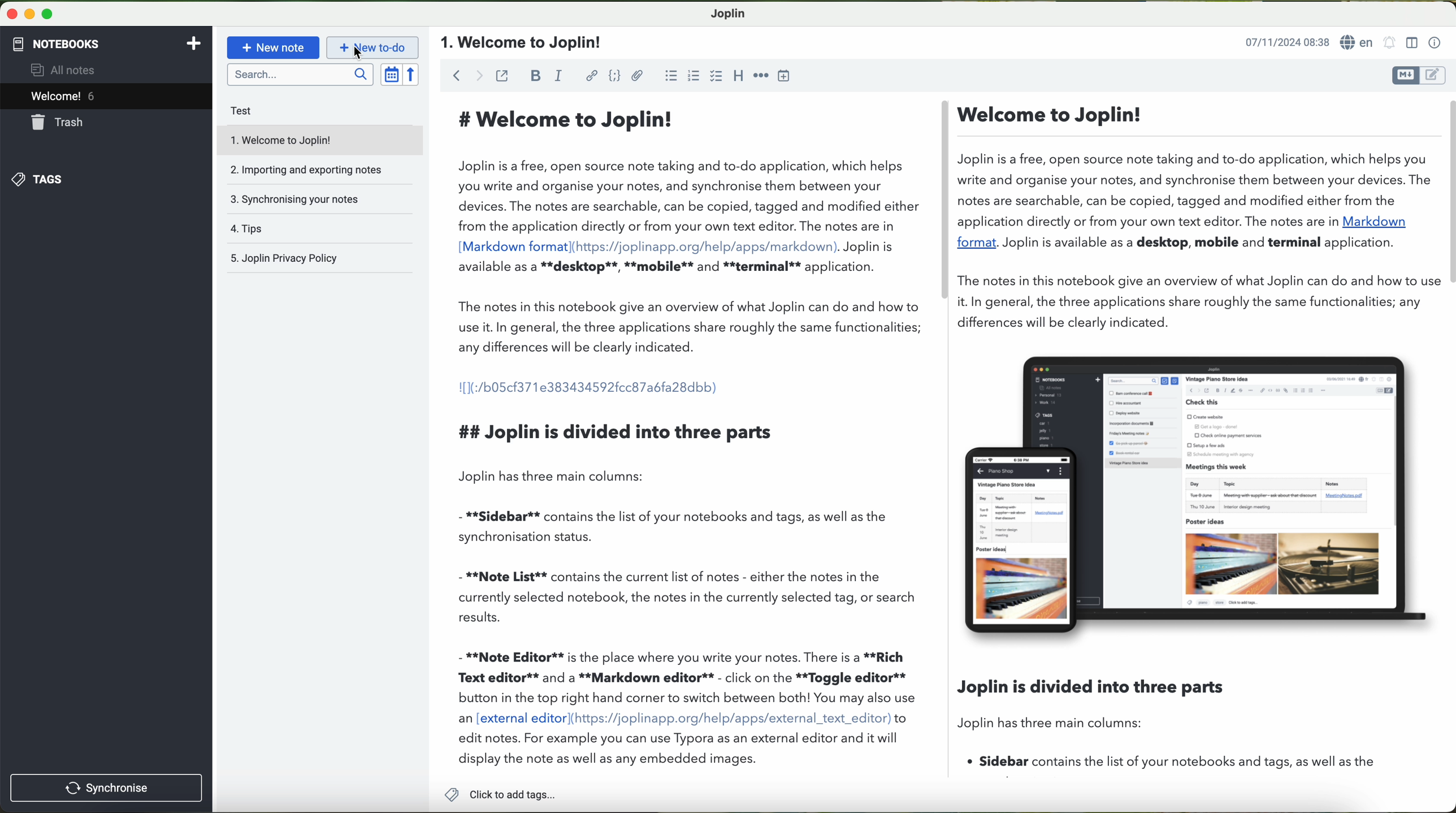  Describe the element at coordinates (503, 794) in the screenshot. I see `add tags` at that location.